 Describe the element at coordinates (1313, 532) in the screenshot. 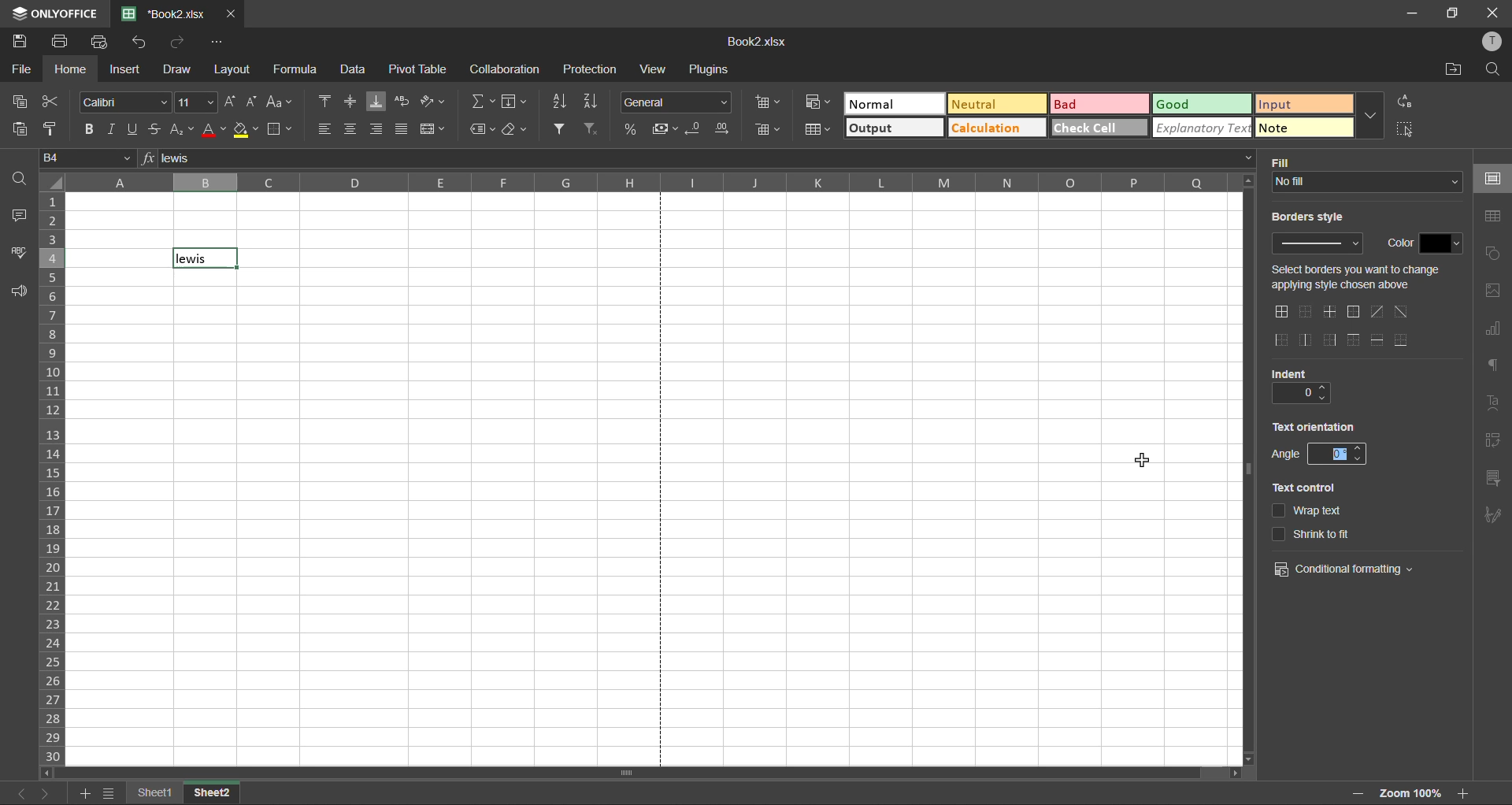

I see `shrink to it` at that location.